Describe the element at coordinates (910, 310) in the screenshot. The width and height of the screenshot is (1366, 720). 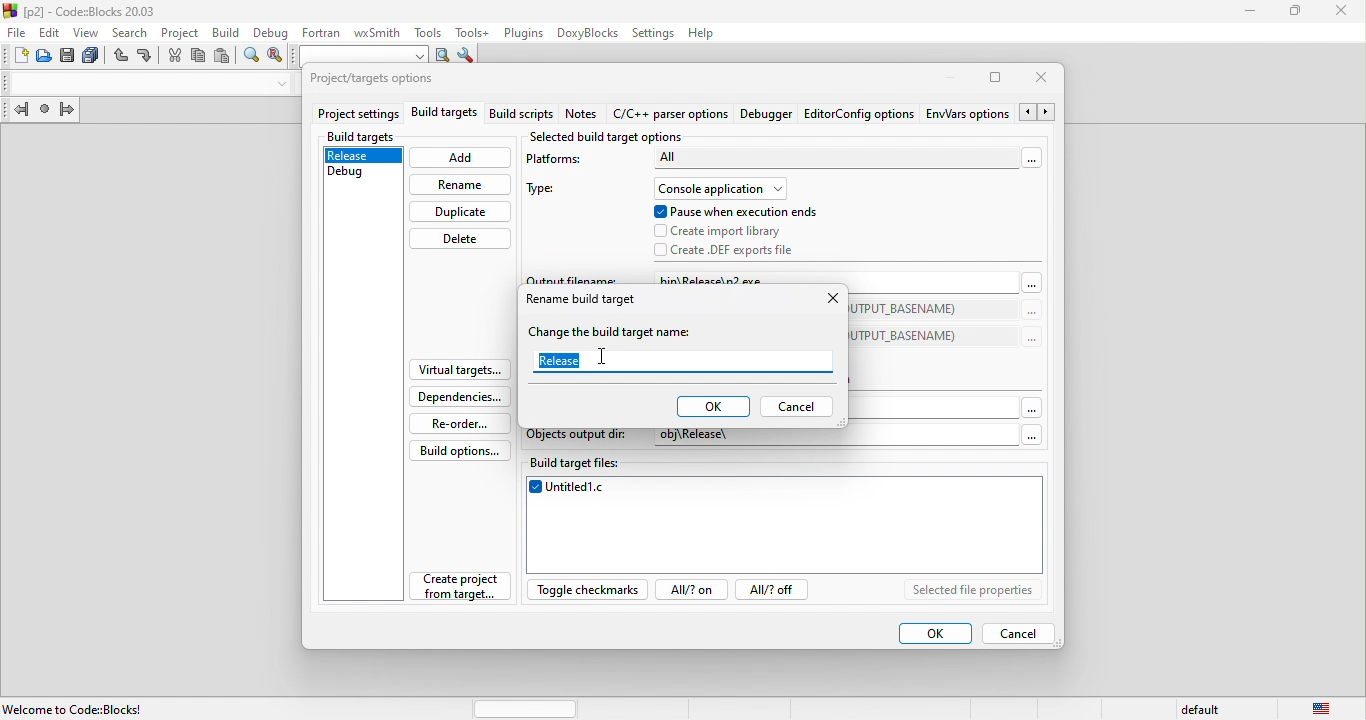
I see `(TARGET_OUTPUT_DIR)$(TARGET_OUTPUT_BASENAME)` at that location.